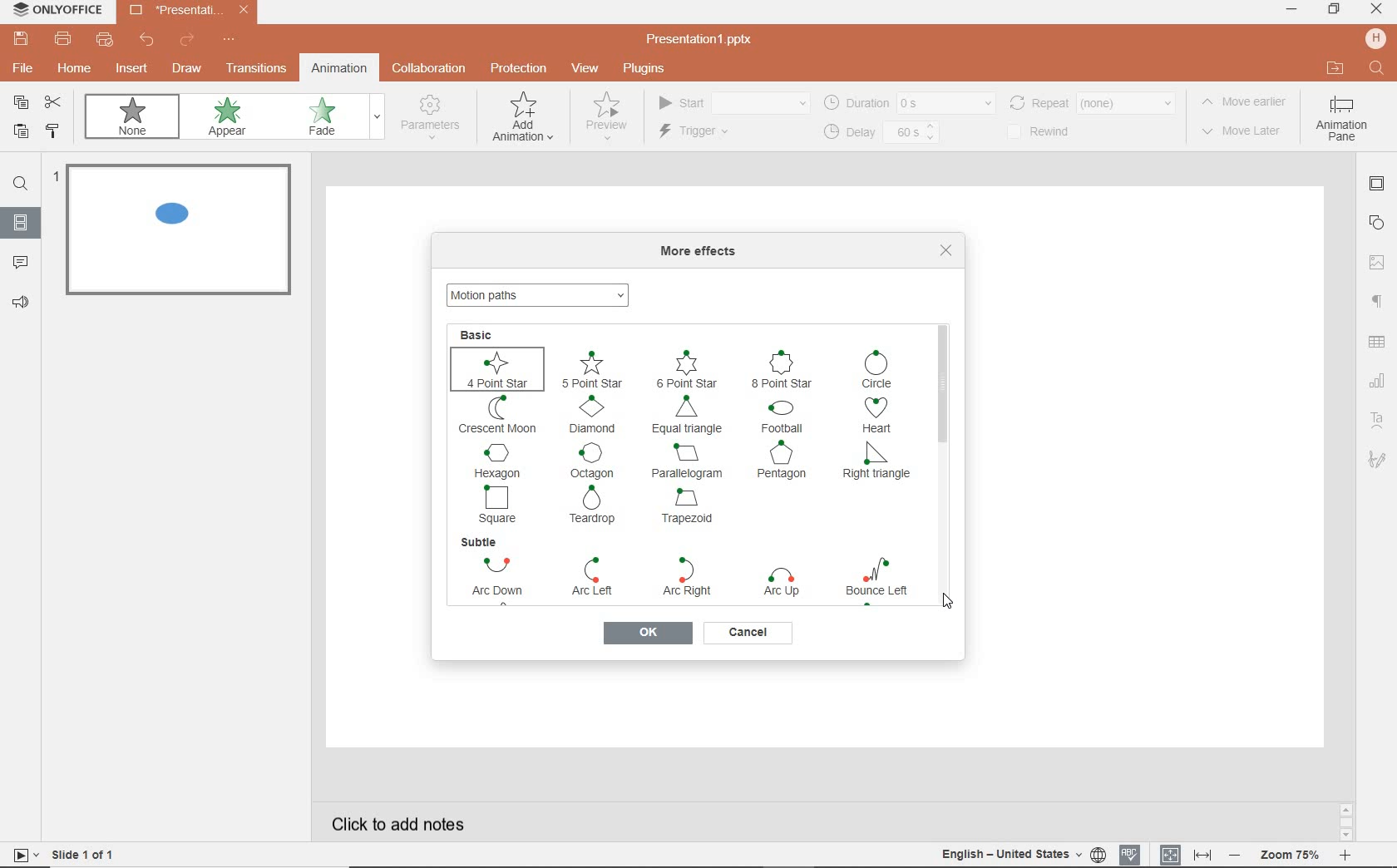 The height and width of the screenshot is (868, 1397). What do you see at coordinates (591, 579) in the screenshot?
I see `ARC LEFT` at bounding box center [591, 579].